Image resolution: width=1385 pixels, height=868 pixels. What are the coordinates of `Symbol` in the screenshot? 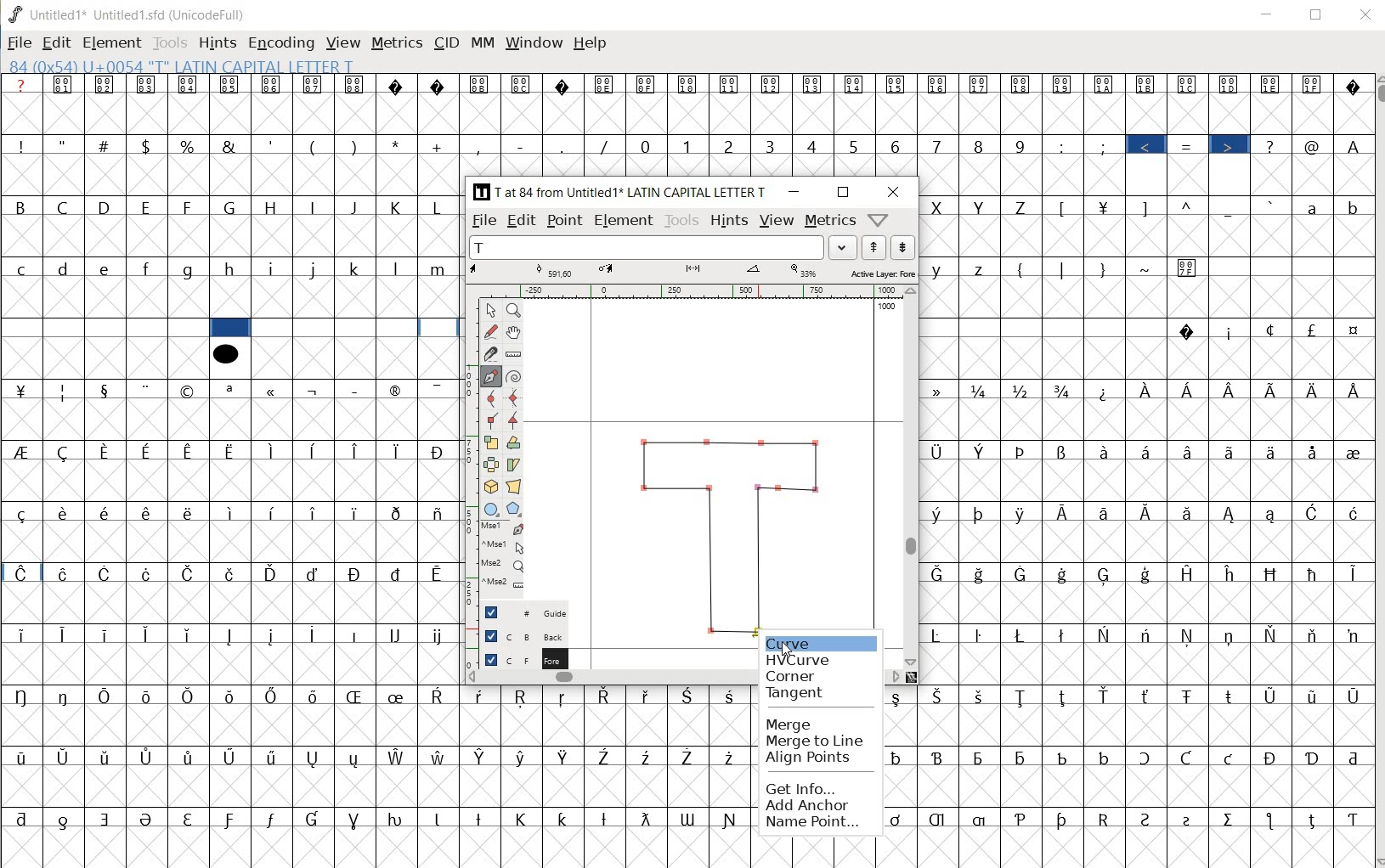 It's located at (357, 818).